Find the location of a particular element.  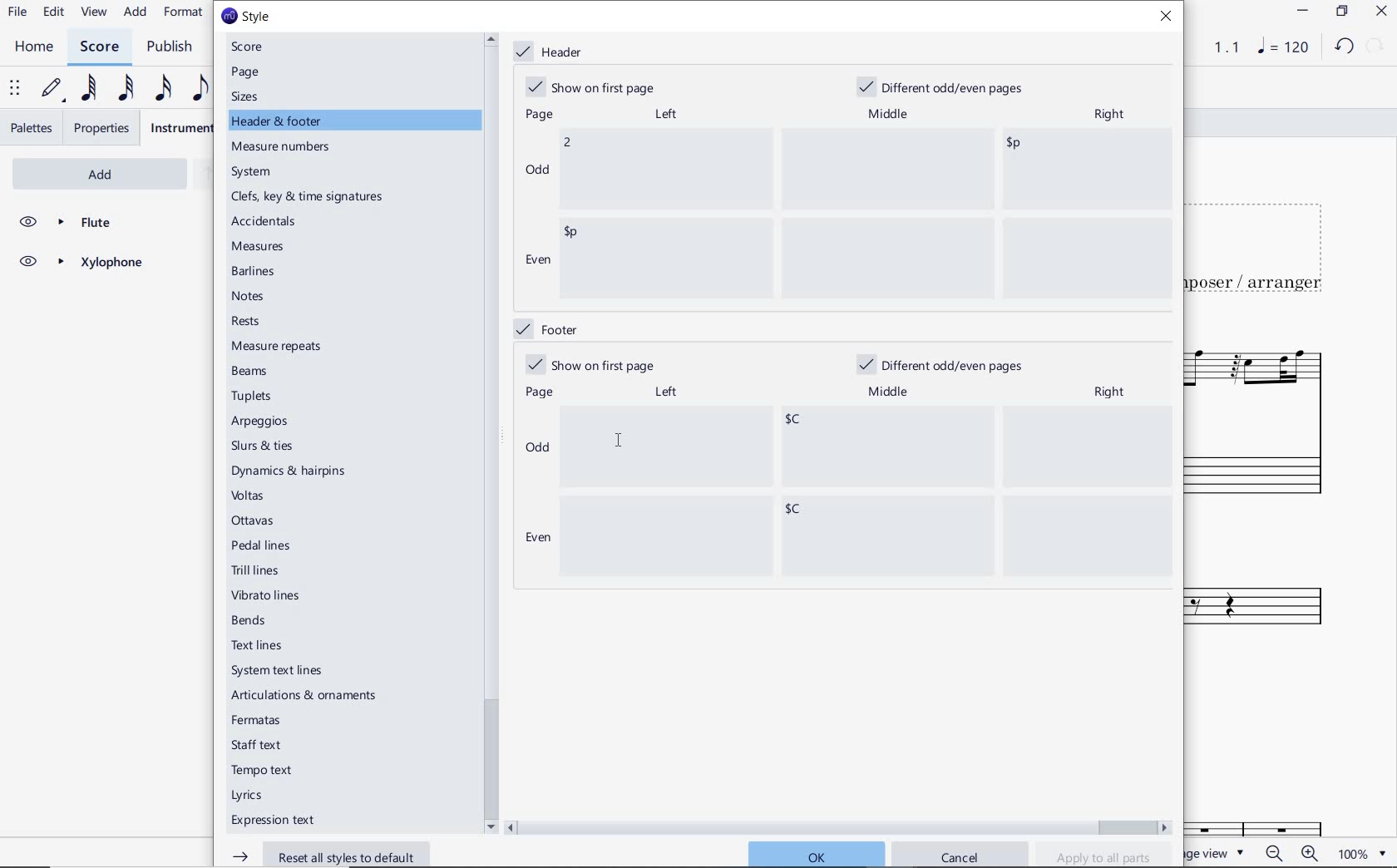

arpeggios is located at coordinates (260, 422).